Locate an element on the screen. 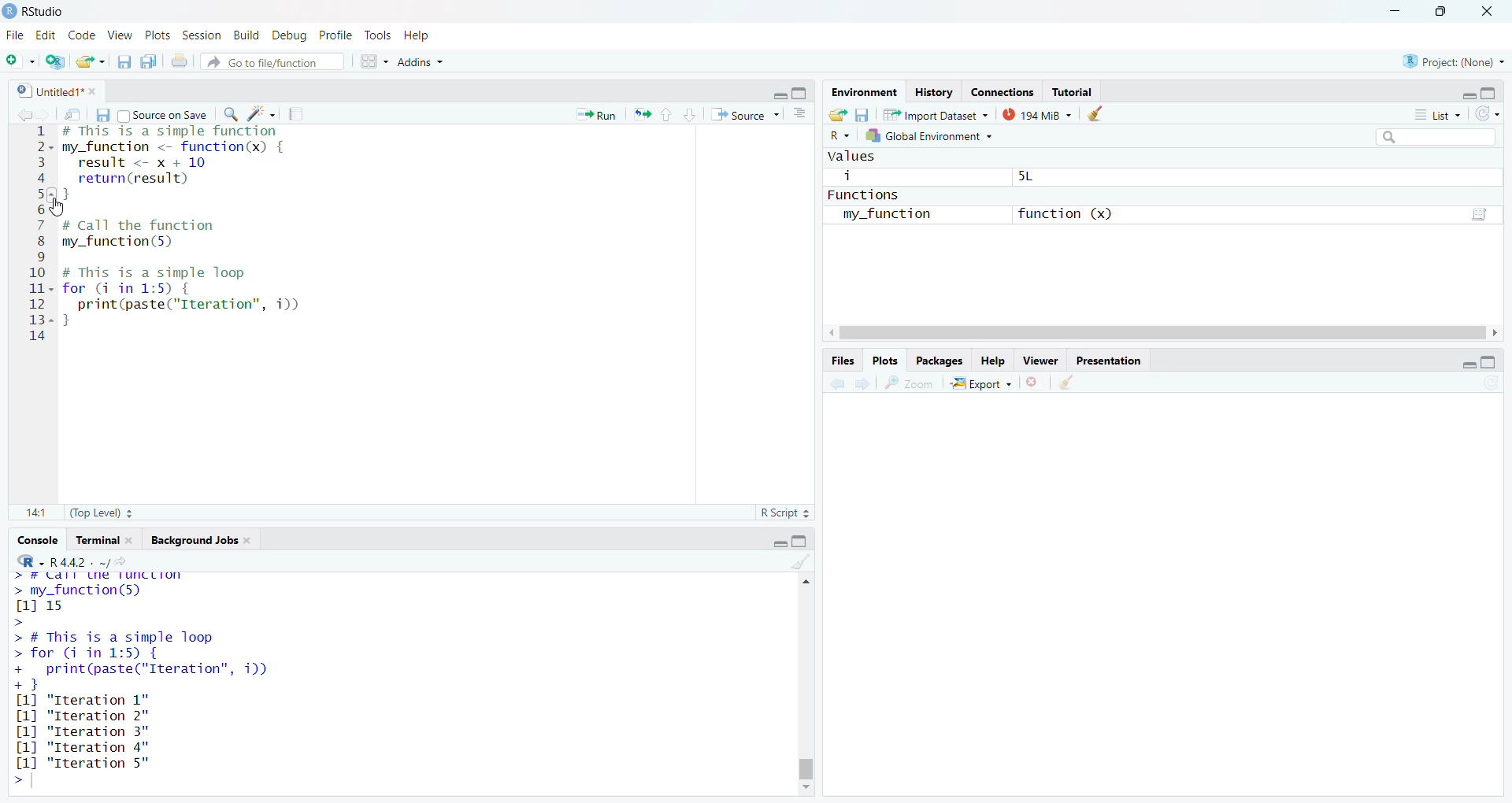  close is located at coordinates (253, 542).